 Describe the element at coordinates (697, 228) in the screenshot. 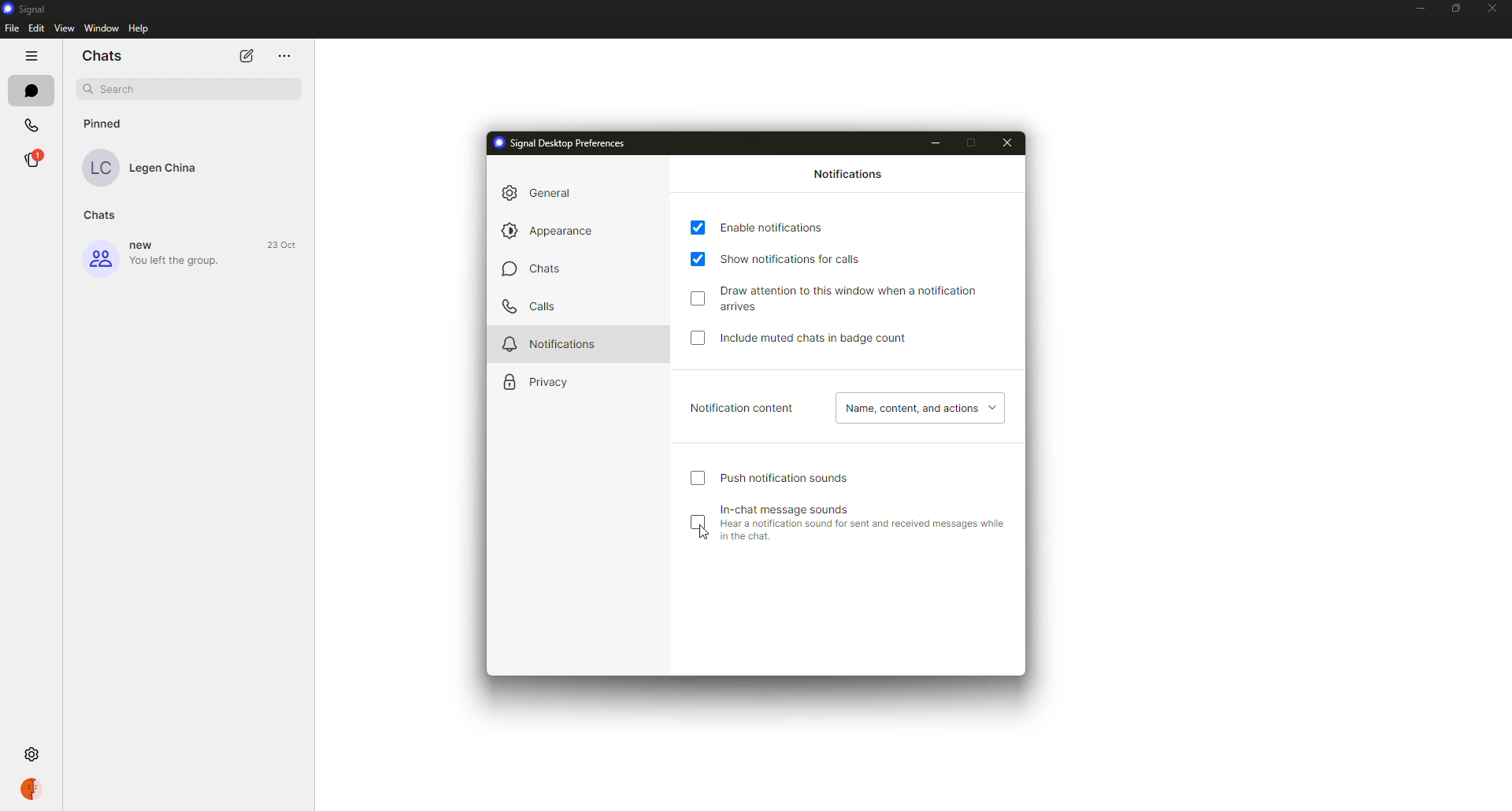

I see `tap to select` at that location.